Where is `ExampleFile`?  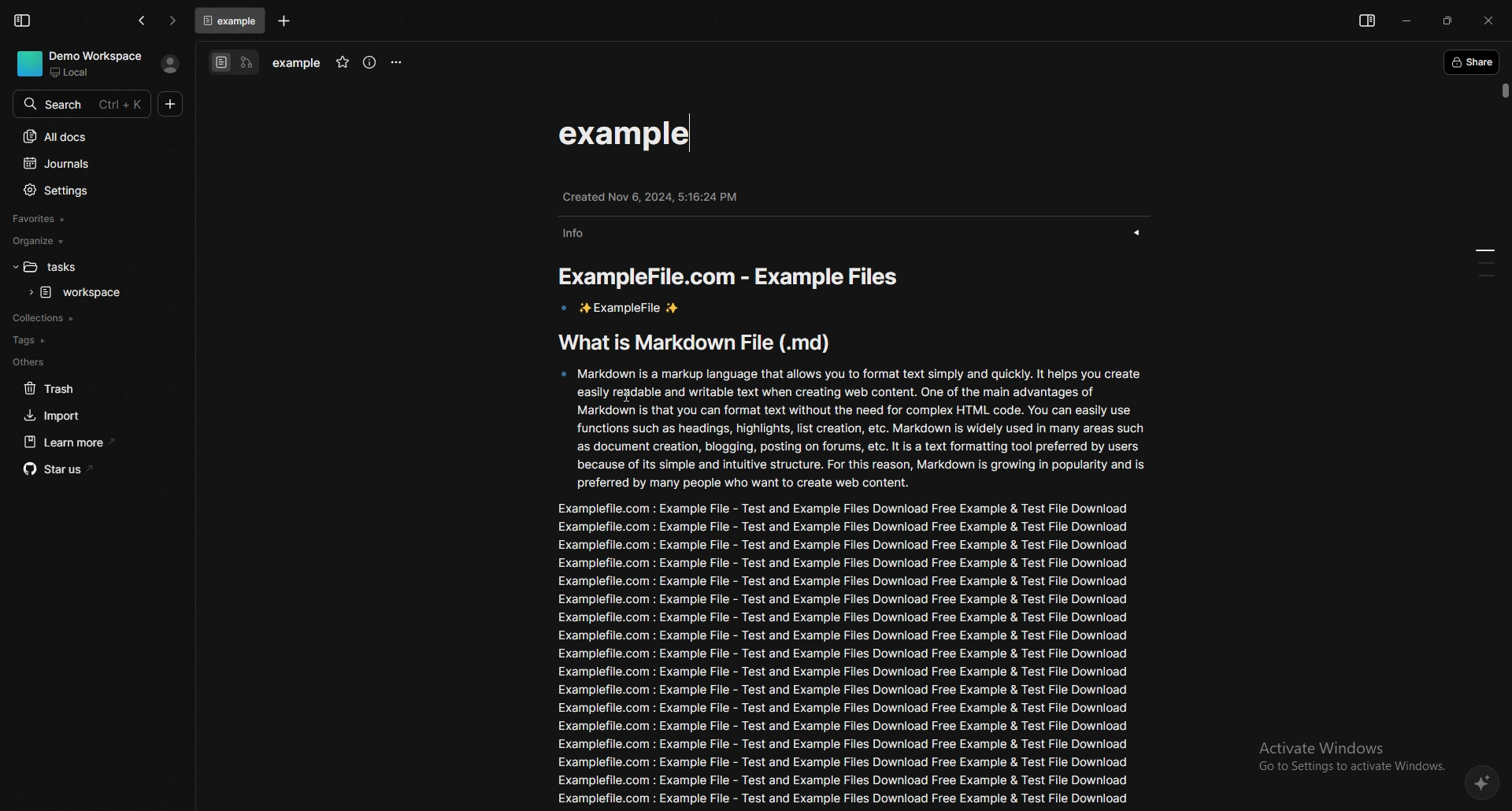 ExampleFile is located at coordinates (627, 306).